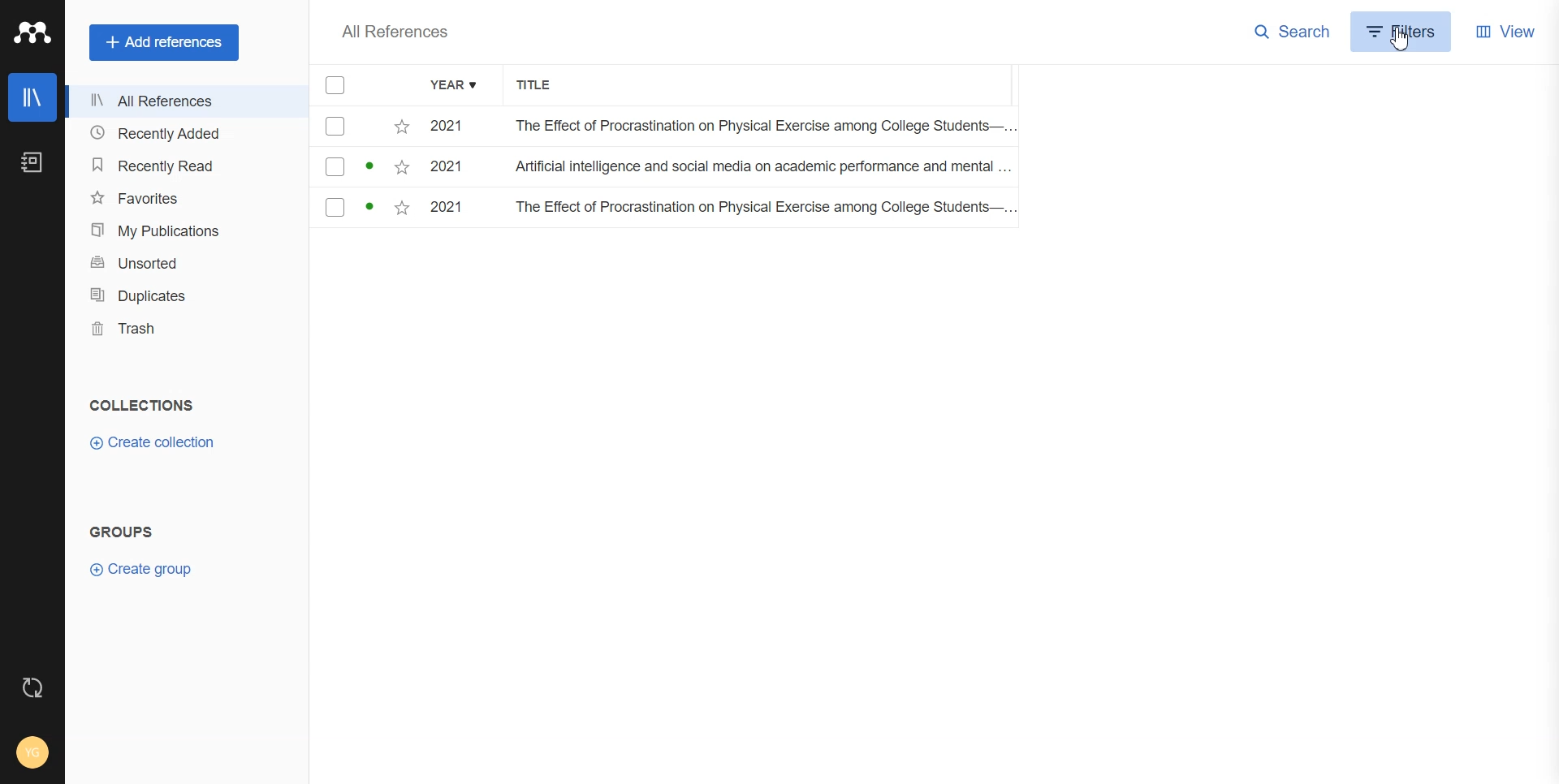  What do you see at coordinates (185, 197) in the screenshot?
I see `Favorites` at bounding box center [185, 197].